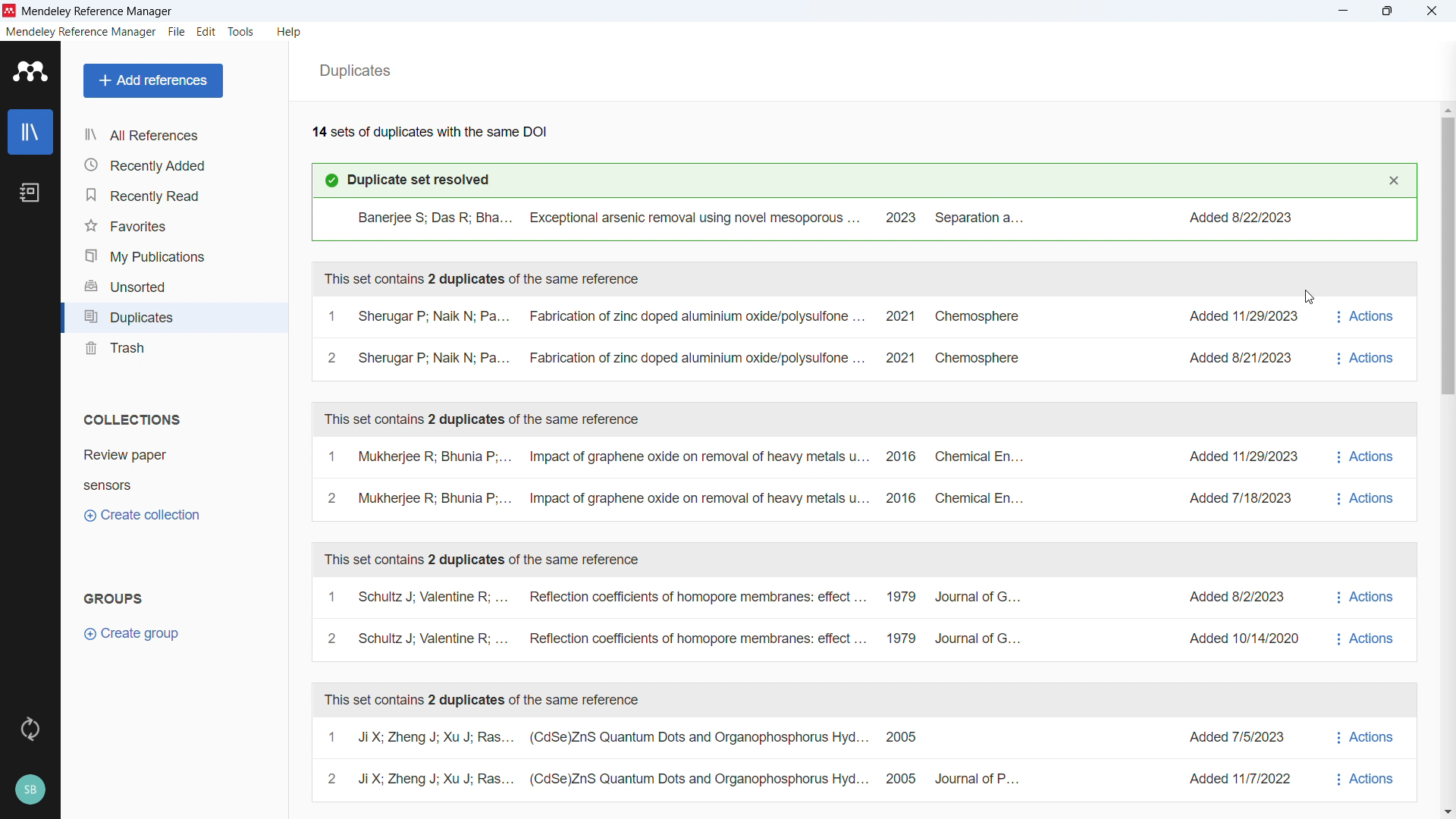 The image size is (1456, 819). I want to click on Mendeley reference manager , so click(83, 33).